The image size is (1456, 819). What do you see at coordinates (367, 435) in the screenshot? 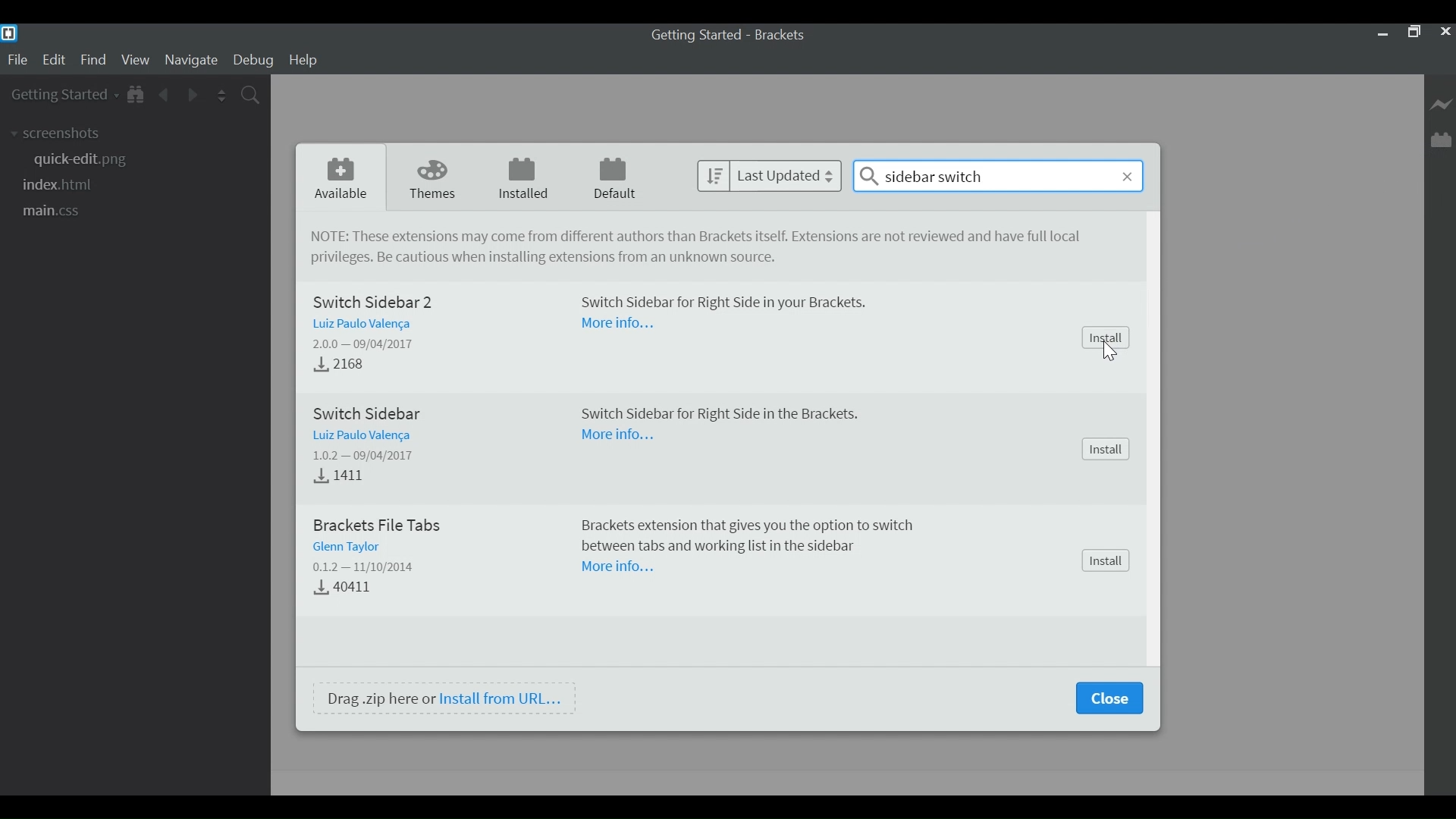
I see `Author` at bounding box center [367, 435].